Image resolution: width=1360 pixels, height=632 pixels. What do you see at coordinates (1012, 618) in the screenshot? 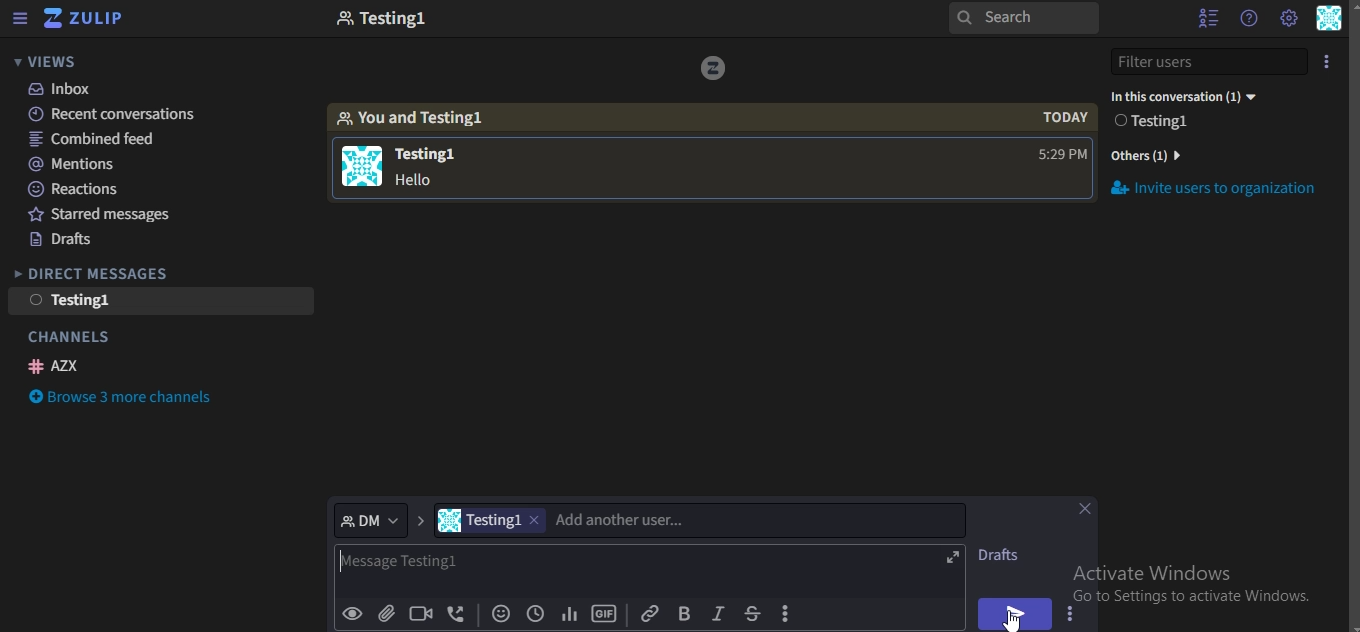
I see `cursor` at bounding box center [1012, 618].